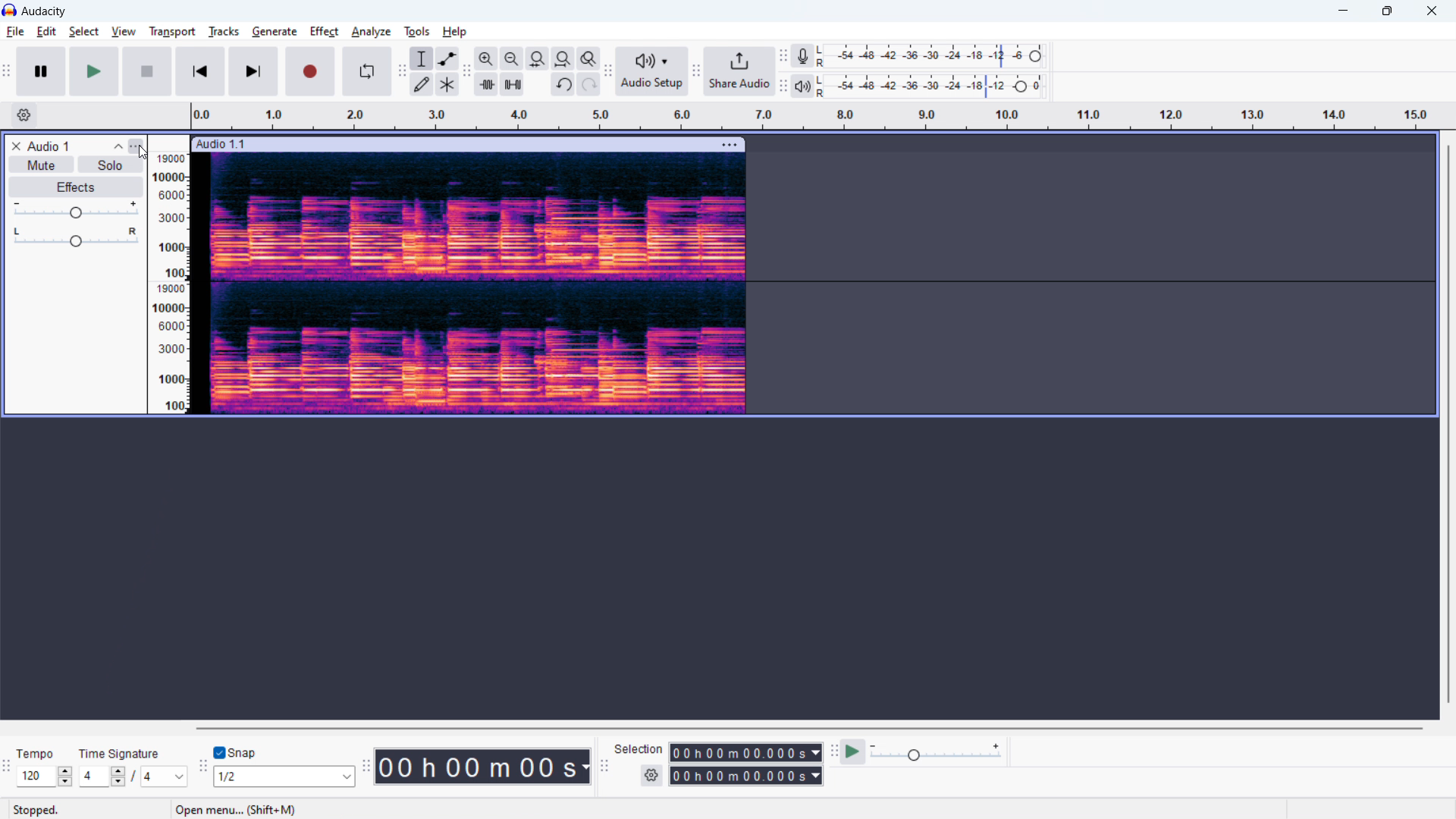  Describe the element at coordinates (201, 72) in the screenshot. I see `skip to start` at that location.